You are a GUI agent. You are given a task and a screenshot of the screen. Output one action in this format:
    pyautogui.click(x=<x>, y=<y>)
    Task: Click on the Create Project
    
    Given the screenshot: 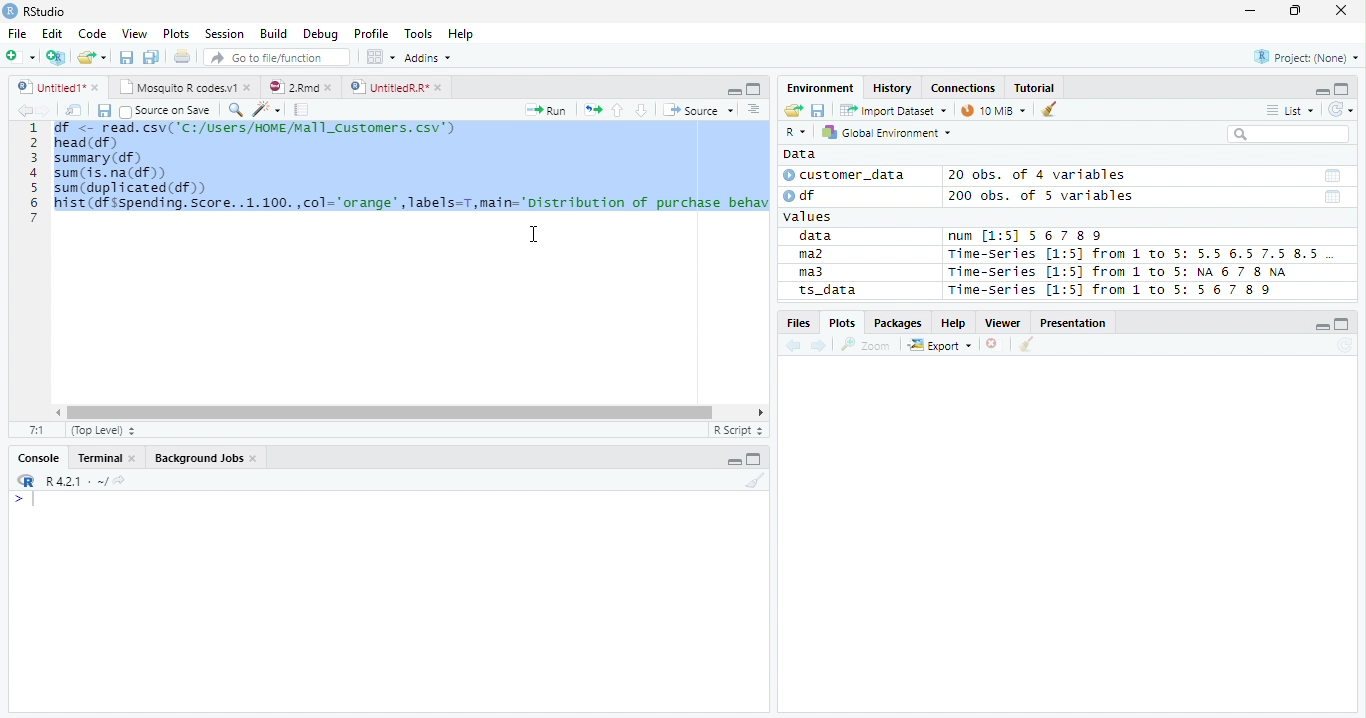 What is the action you would take?
    pyautogui.click(x=57, y=57)
    